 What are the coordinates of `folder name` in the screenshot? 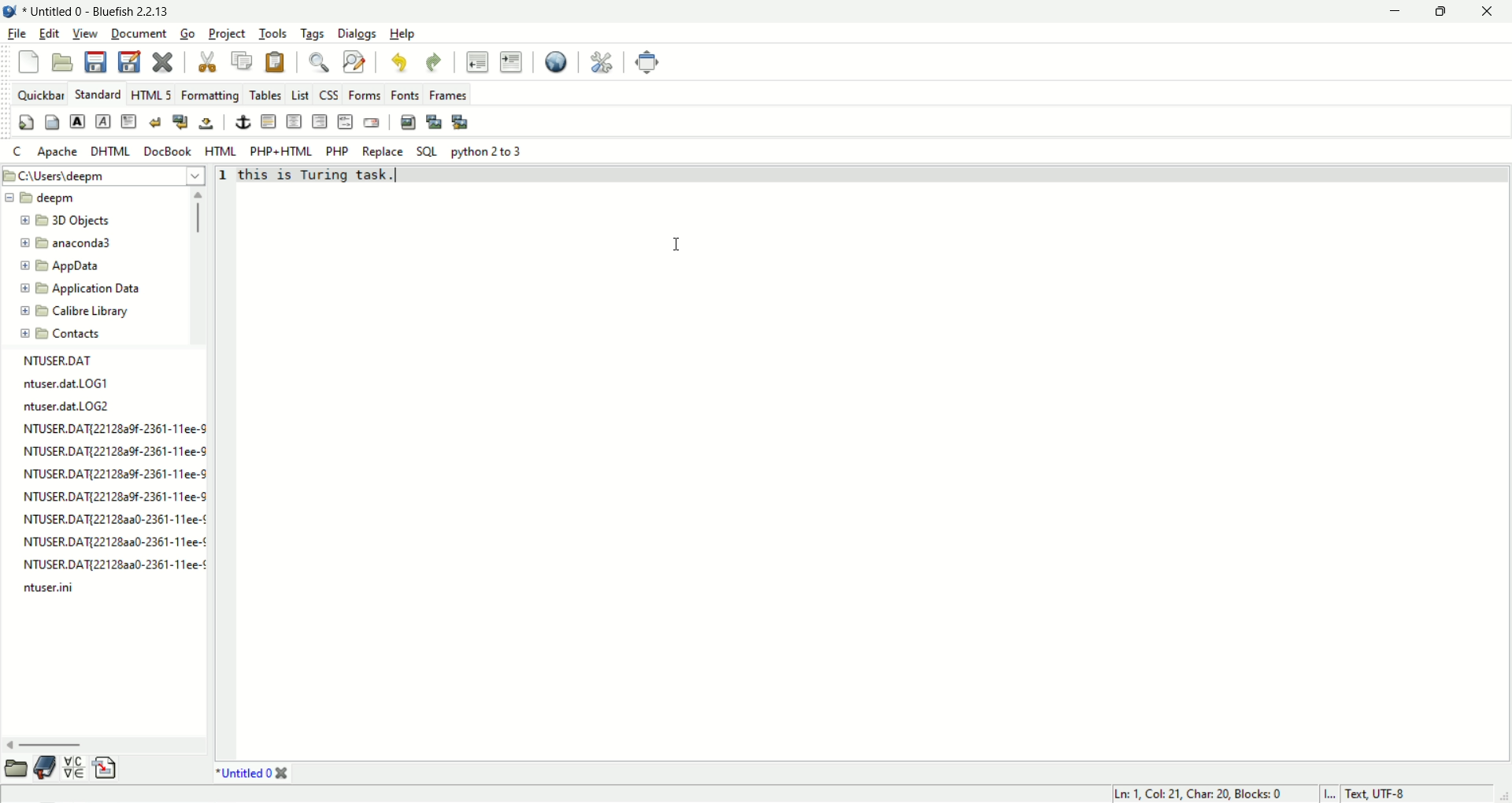 It's located at (69, 267).